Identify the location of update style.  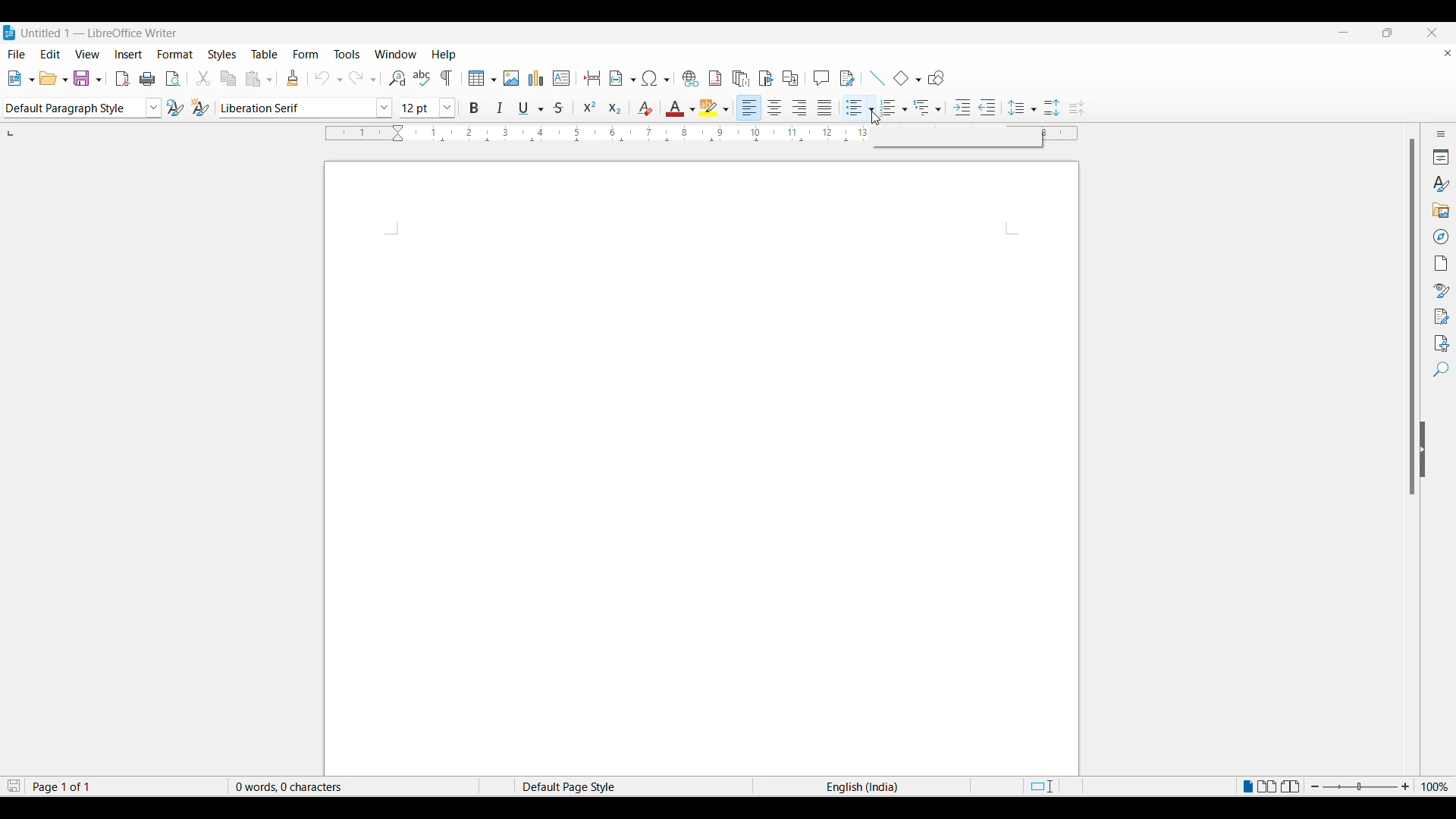
(173, 109).